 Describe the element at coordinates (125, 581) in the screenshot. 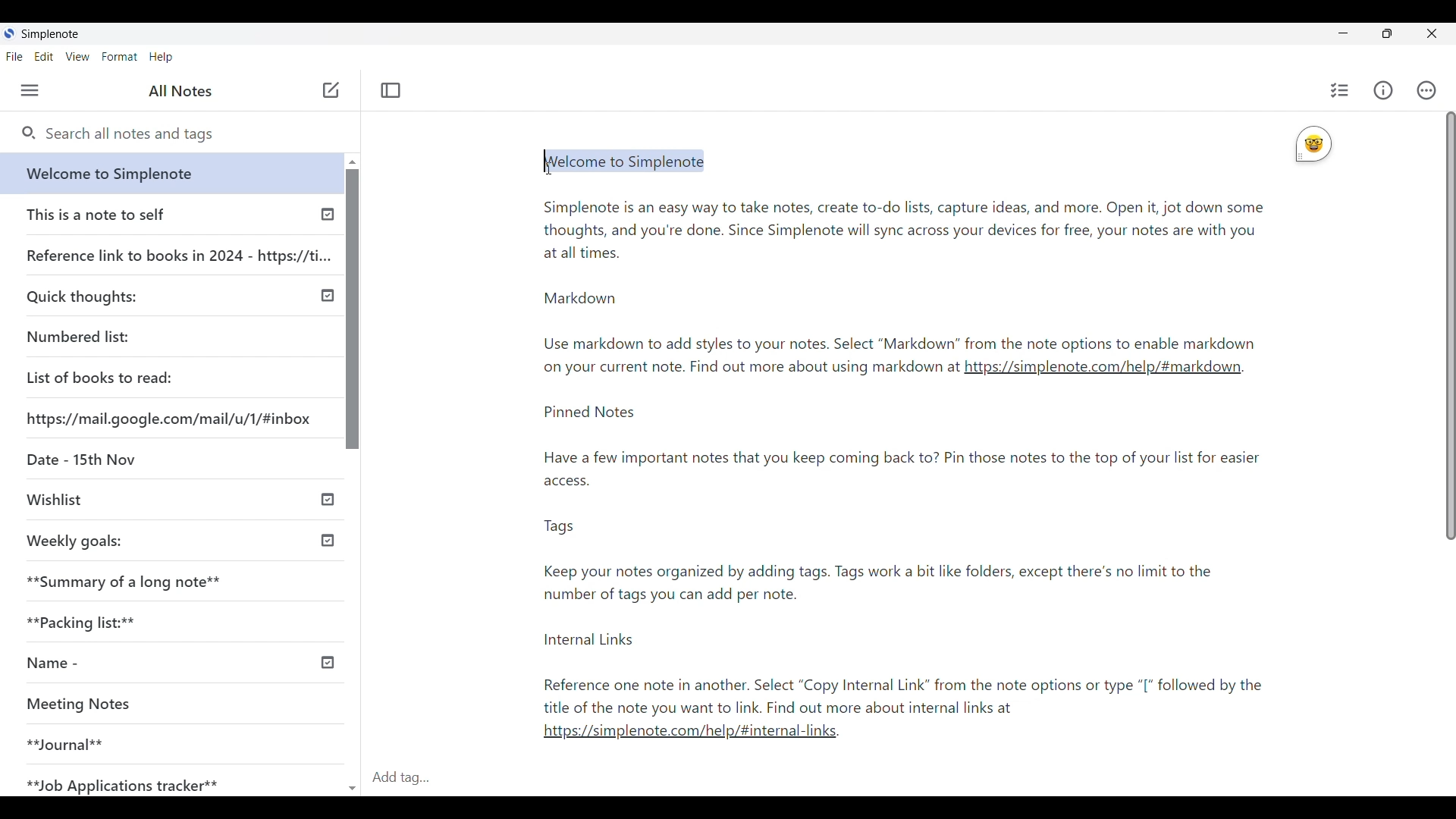

I see `Summary of a long note` at that location.